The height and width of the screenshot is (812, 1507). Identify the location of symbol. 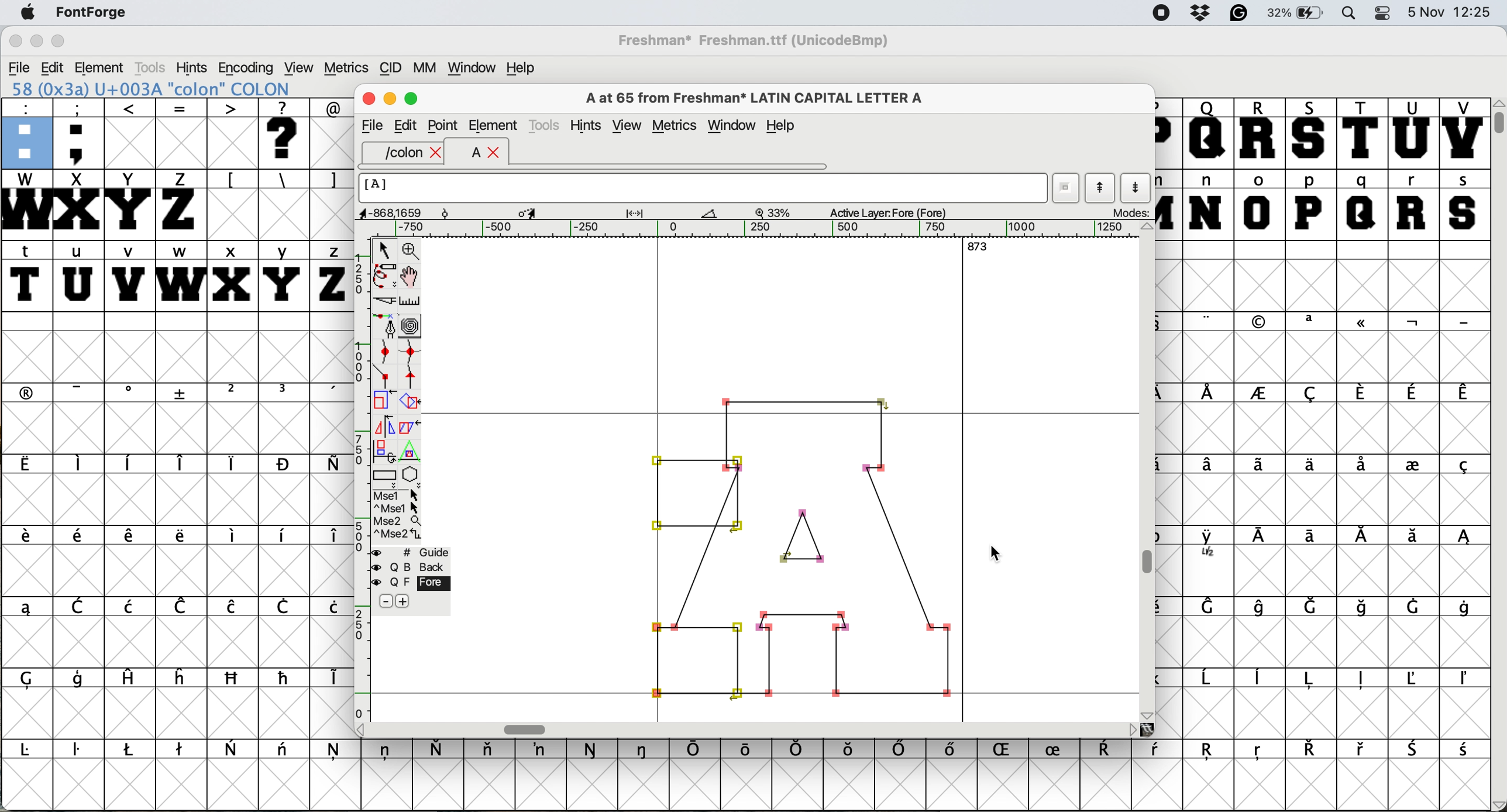
(1212, 608).